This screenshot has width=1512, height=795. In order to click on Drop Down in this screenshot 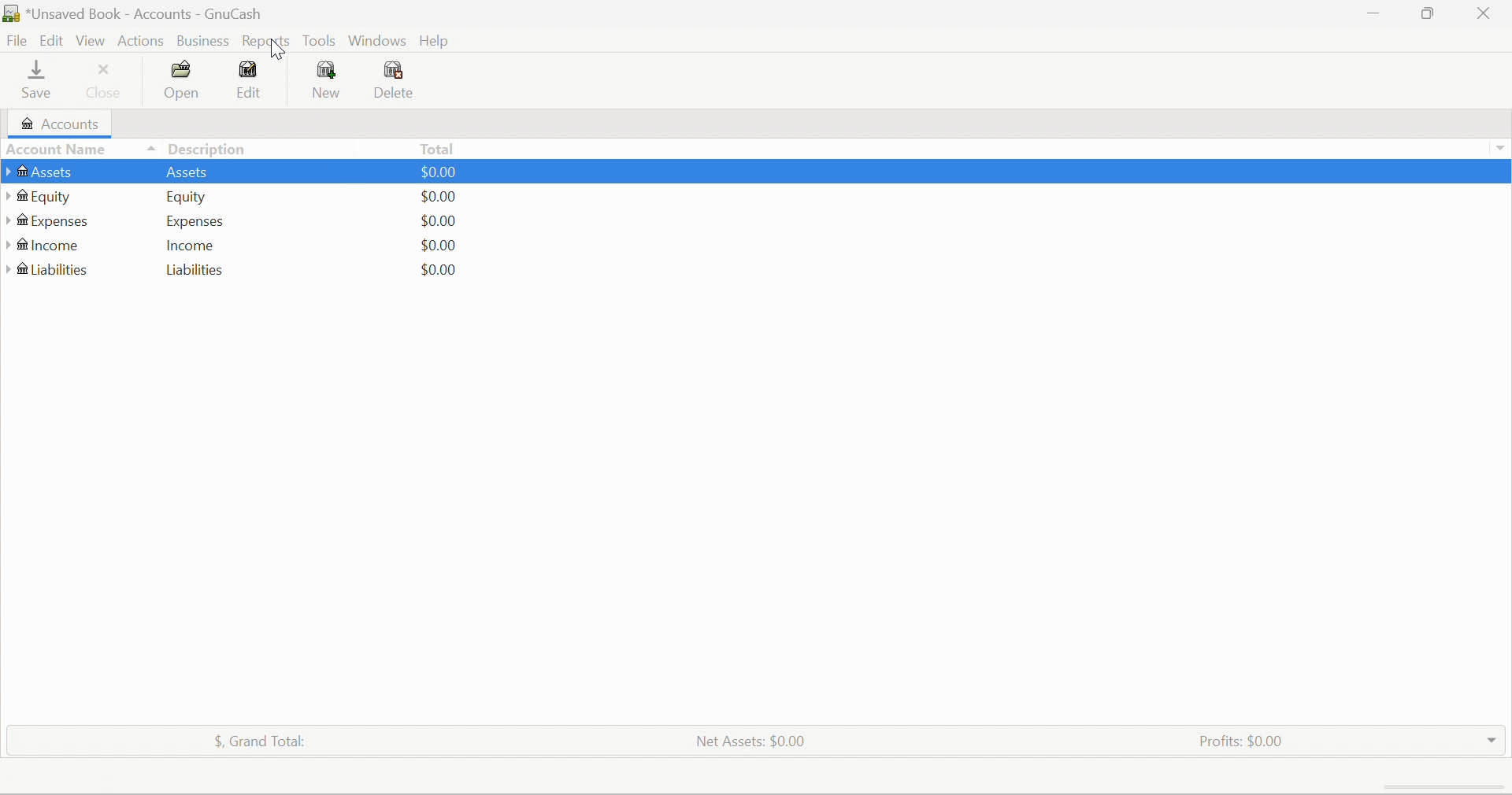, I will do `click(149, 148)`.